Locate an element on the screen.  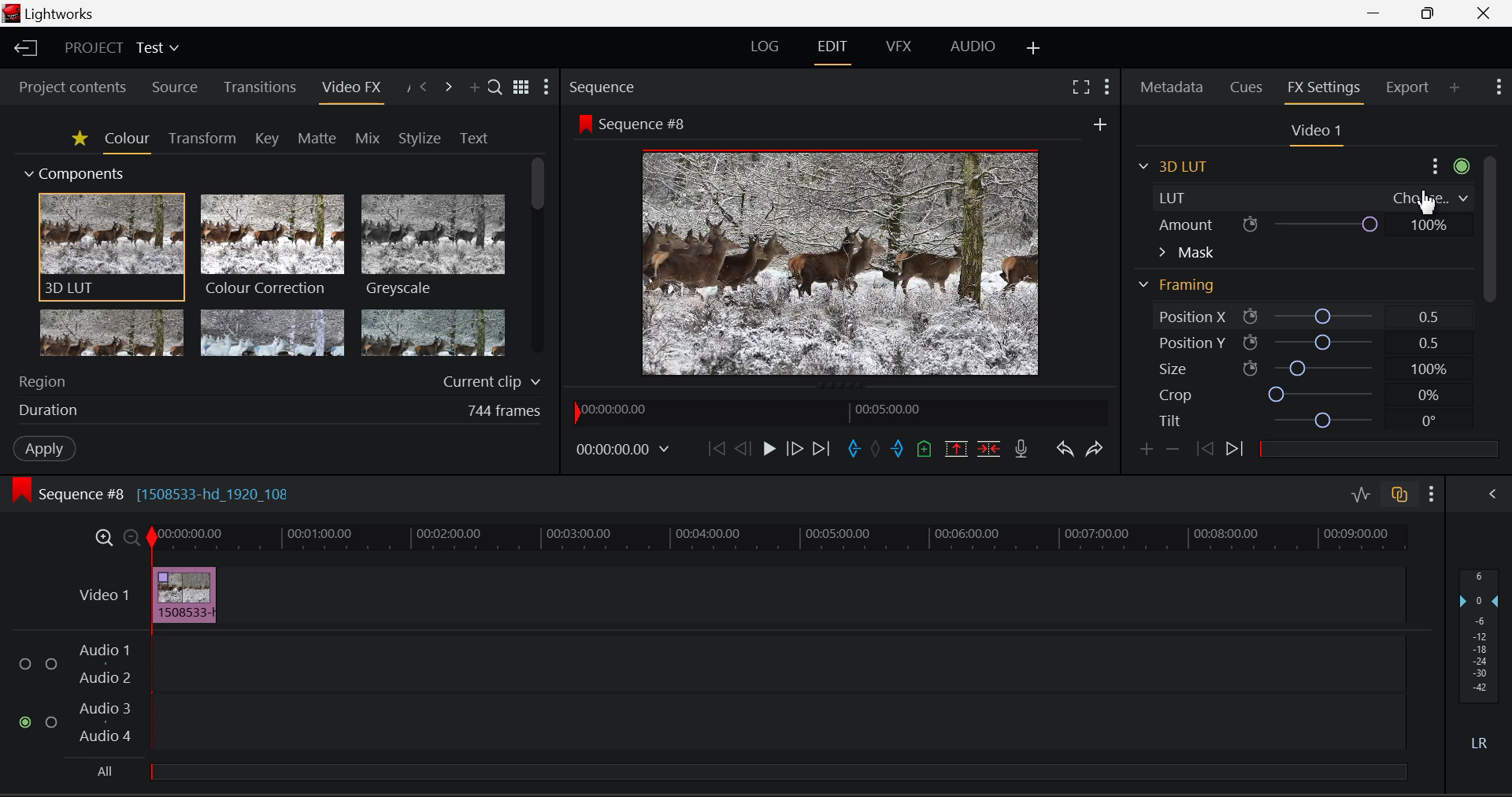
Project Timeline Navigator is located at coordinates (838, 413).